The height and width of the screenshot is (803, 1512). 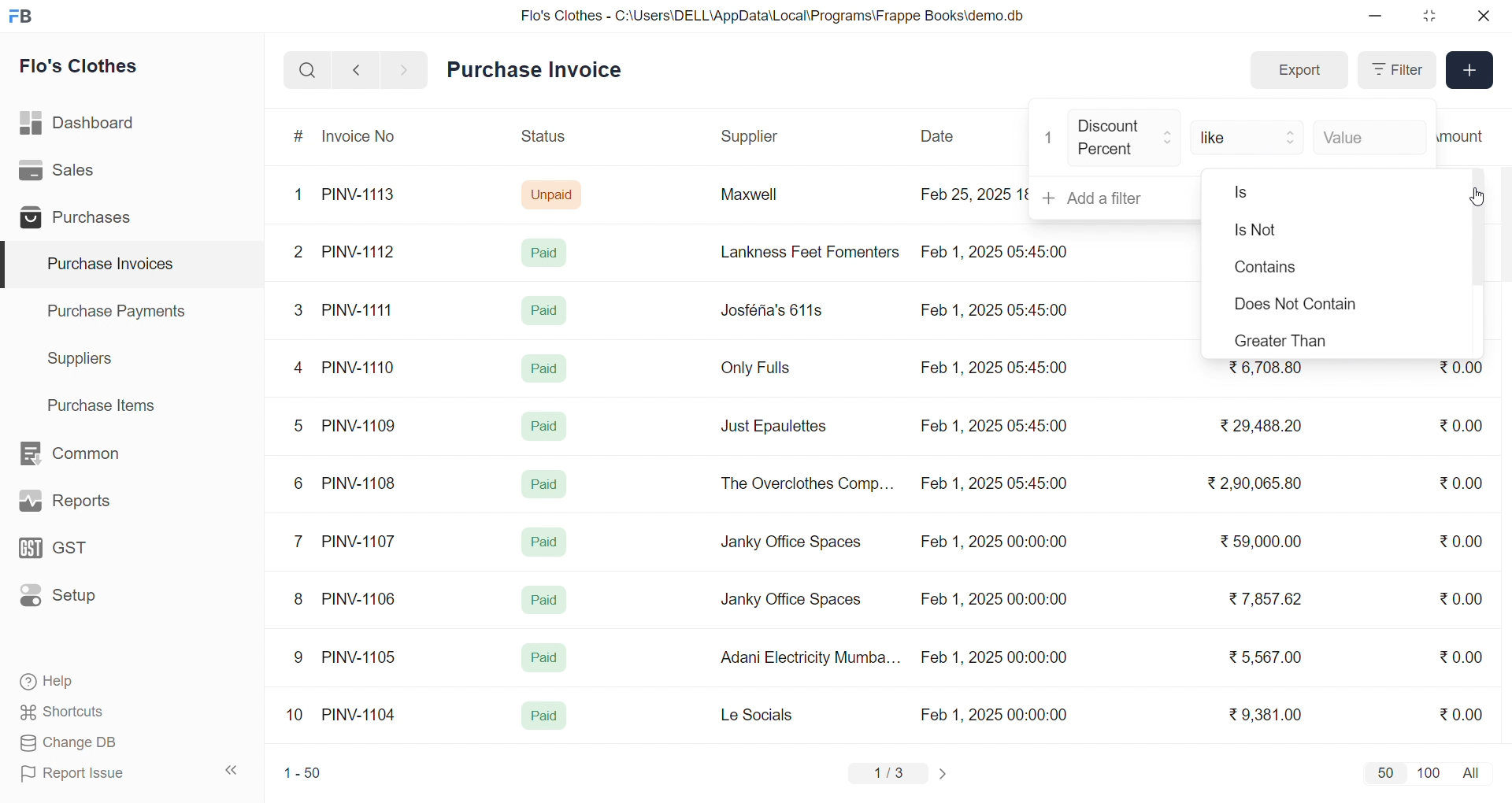 What do you see at coordinates (1285, 268) in the screenshot?
I see `Contains` at bounding box center [1285, 268].